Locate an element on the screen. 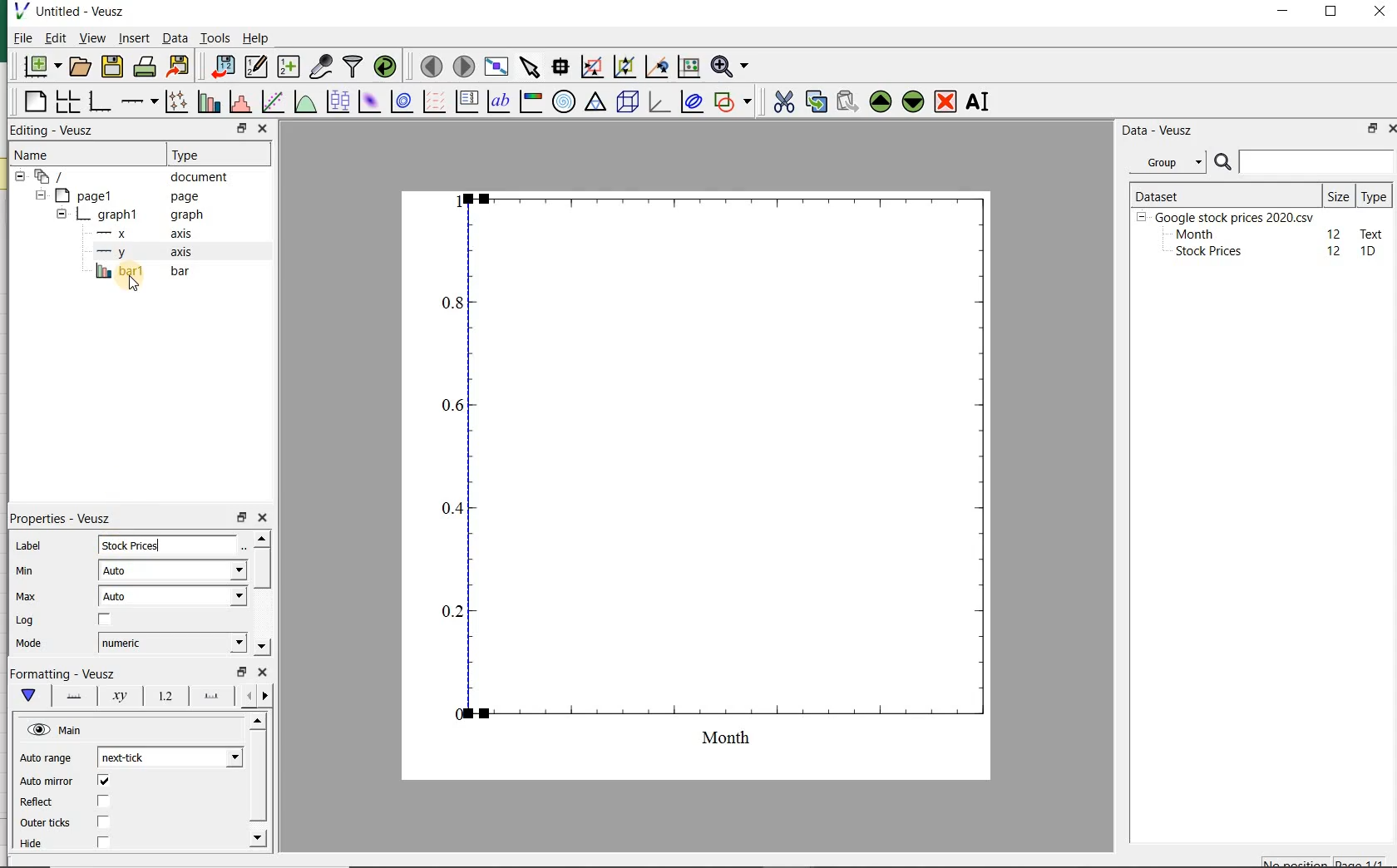  Help is located at coordinates (258, 40).